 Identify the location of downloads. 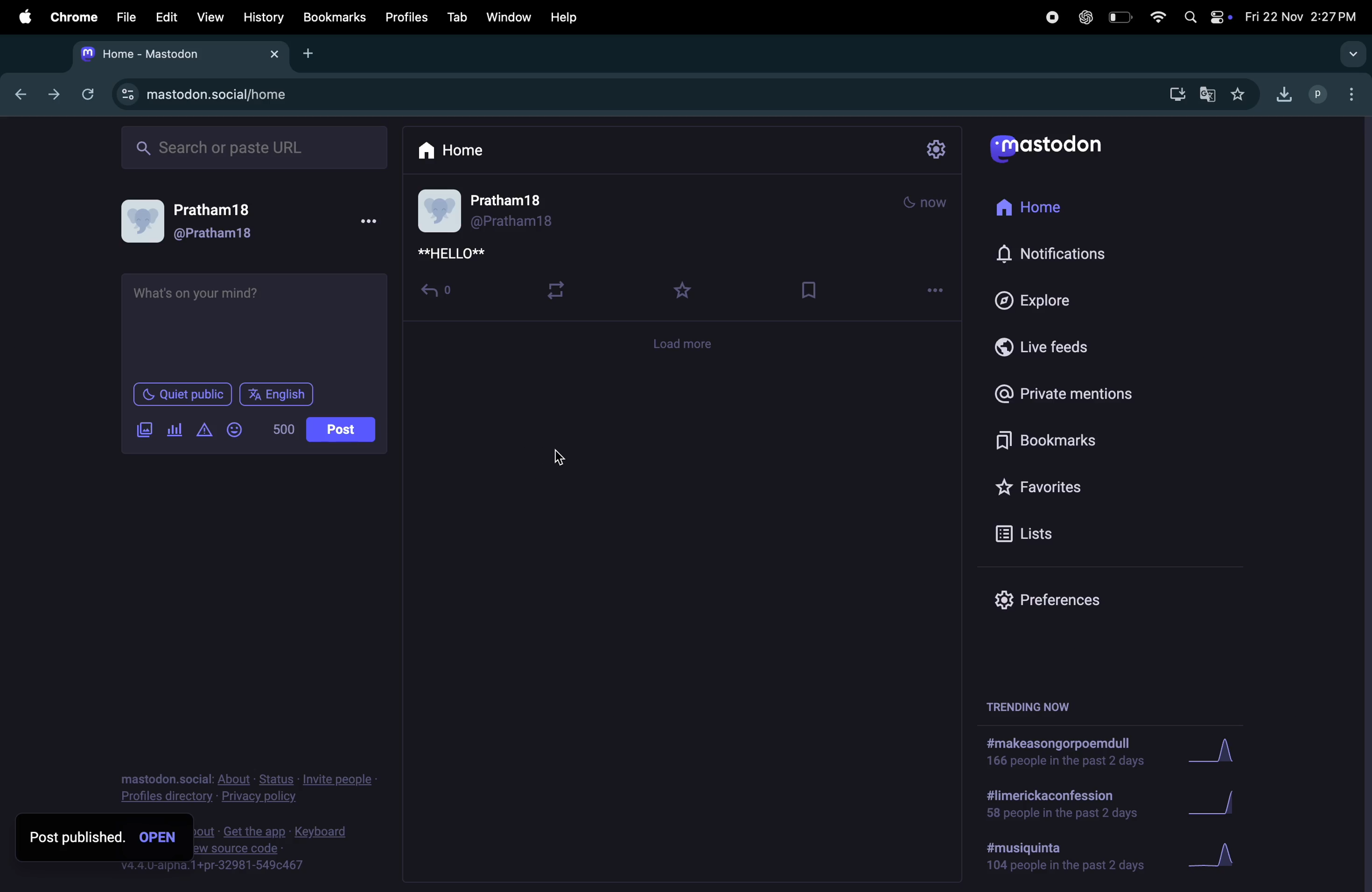
(1284, 92).